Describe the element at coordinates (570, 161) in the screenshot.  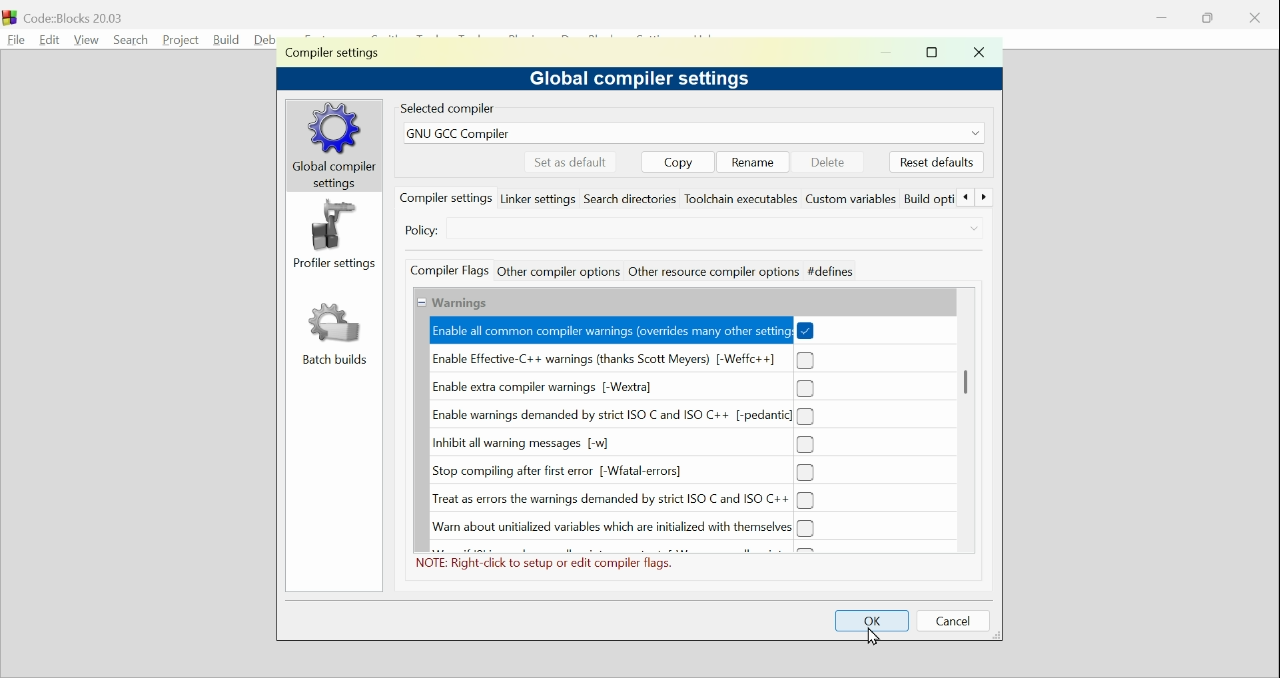
I see `Set as default` at that location.